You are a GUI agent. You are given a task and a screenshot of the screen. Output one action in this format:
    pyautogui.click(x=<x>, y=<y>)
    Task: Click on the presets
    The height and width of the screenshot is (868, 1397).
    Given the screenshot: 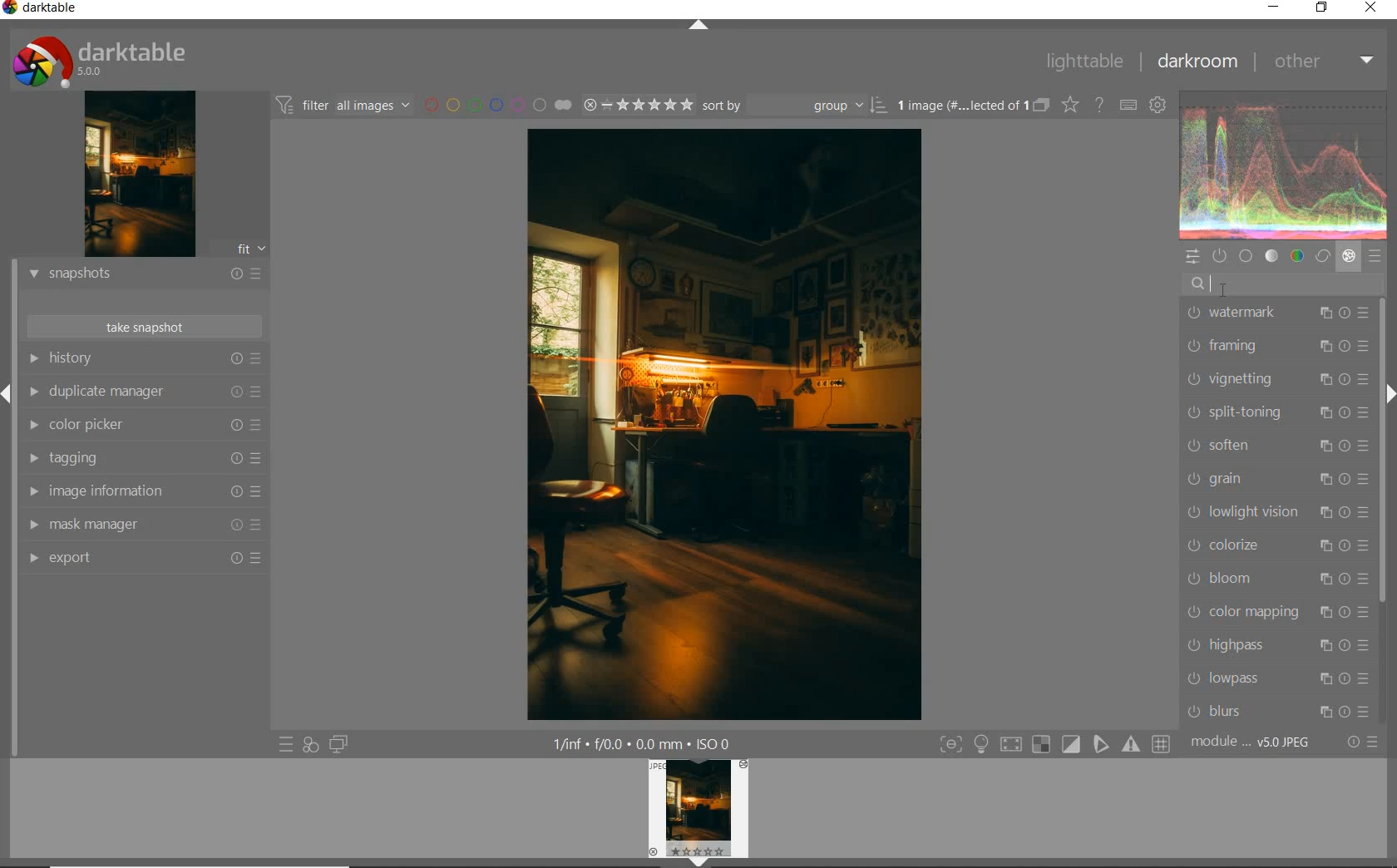 What is the action you would take?
    pyautogui.click(x=1375, y=257)
    